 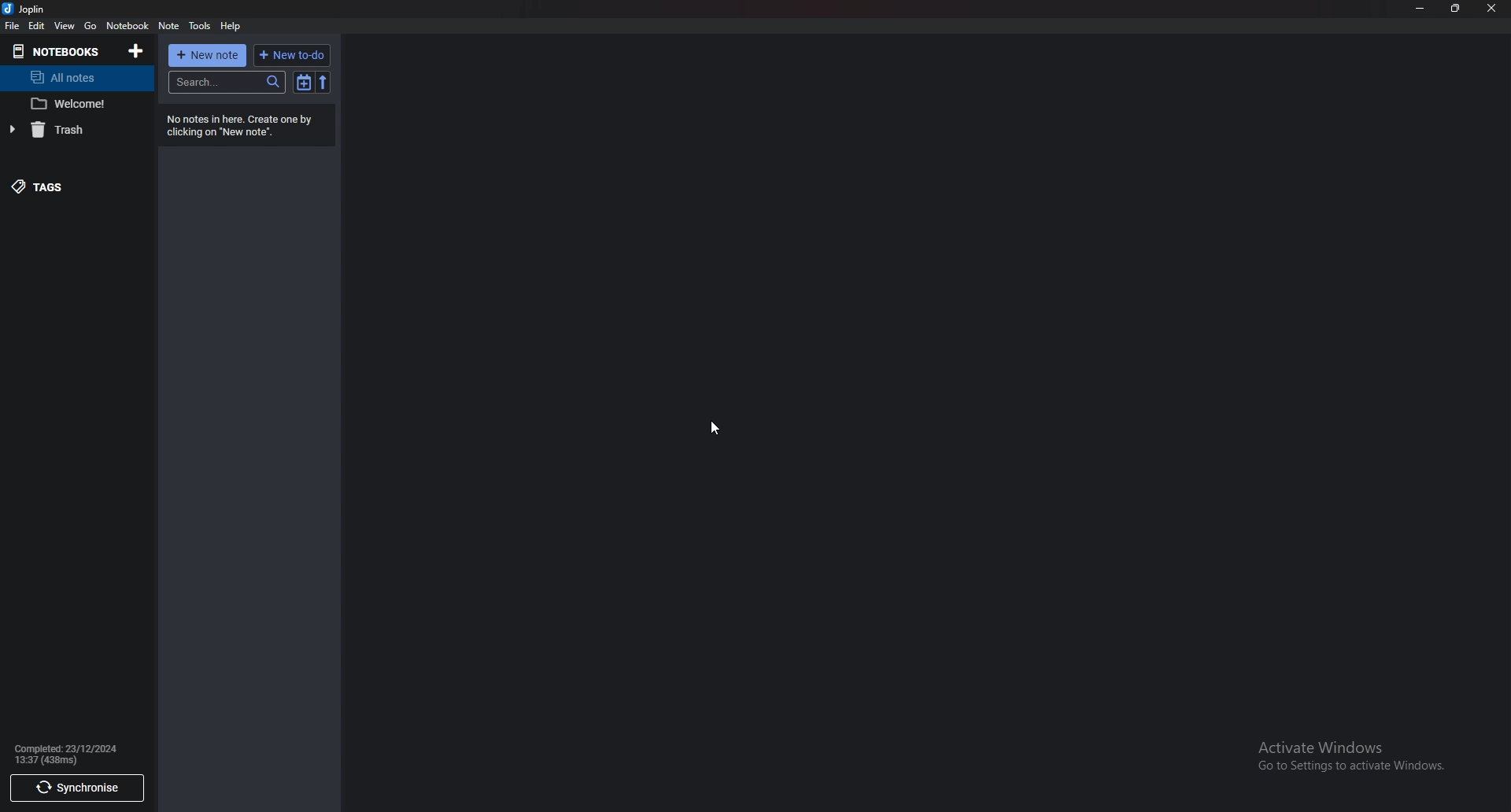 I want to click on Tools, so click(x=201, y=27).